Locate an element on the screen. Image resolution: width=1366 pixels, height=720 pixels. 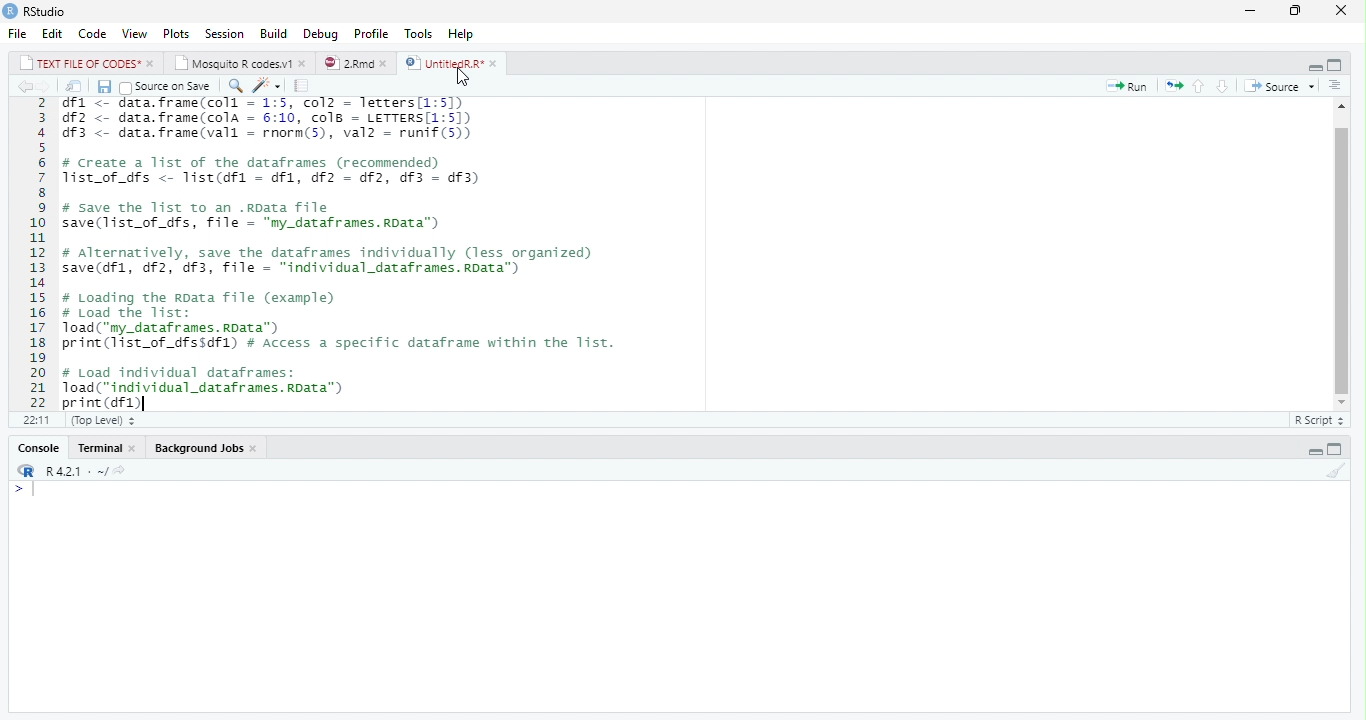
Help is located at coordinates (462, 34).